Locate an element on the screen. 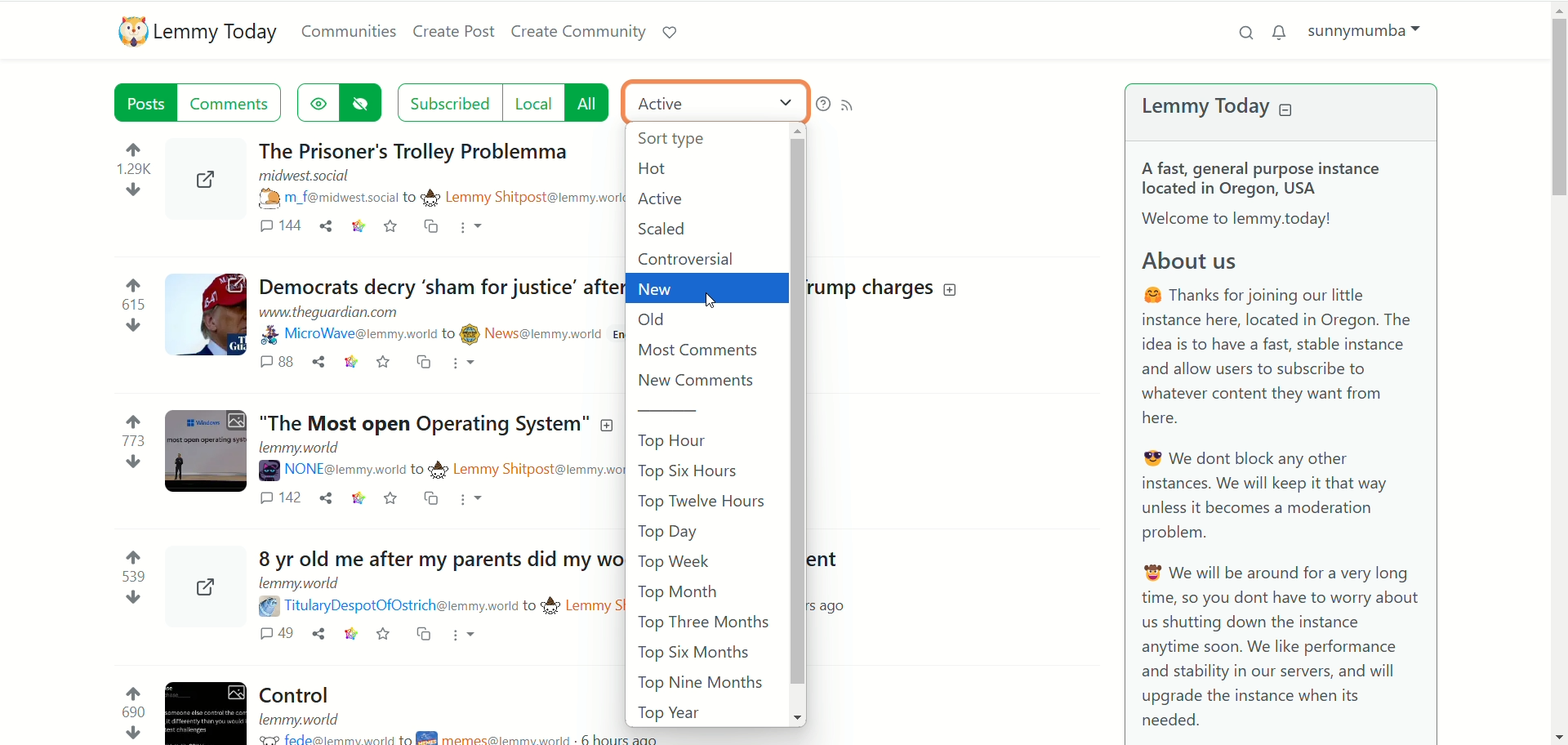 This screenshot has width=1568, height=745. ‘midwest.social (link) is located at coordinates (302, 177).